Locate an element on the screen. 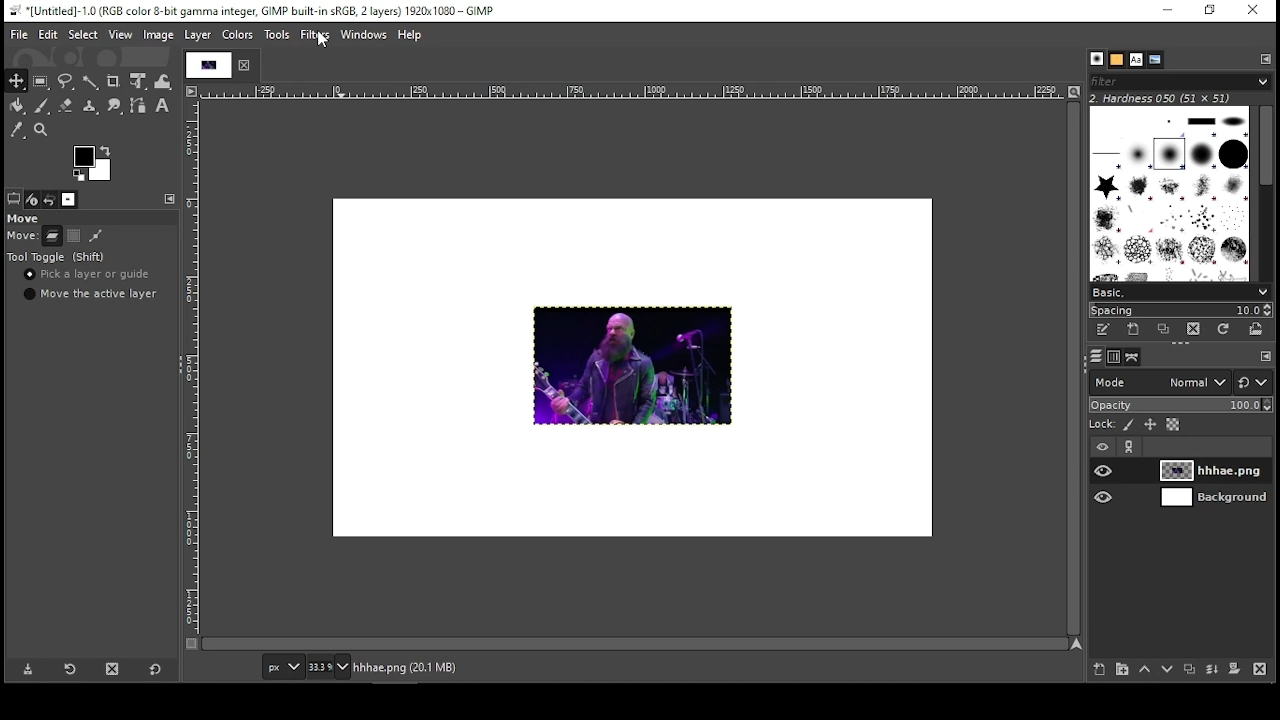 Image resolution: width=1280 pixels, height=720 pixels. patterns is located at coordinates (1117, 60).